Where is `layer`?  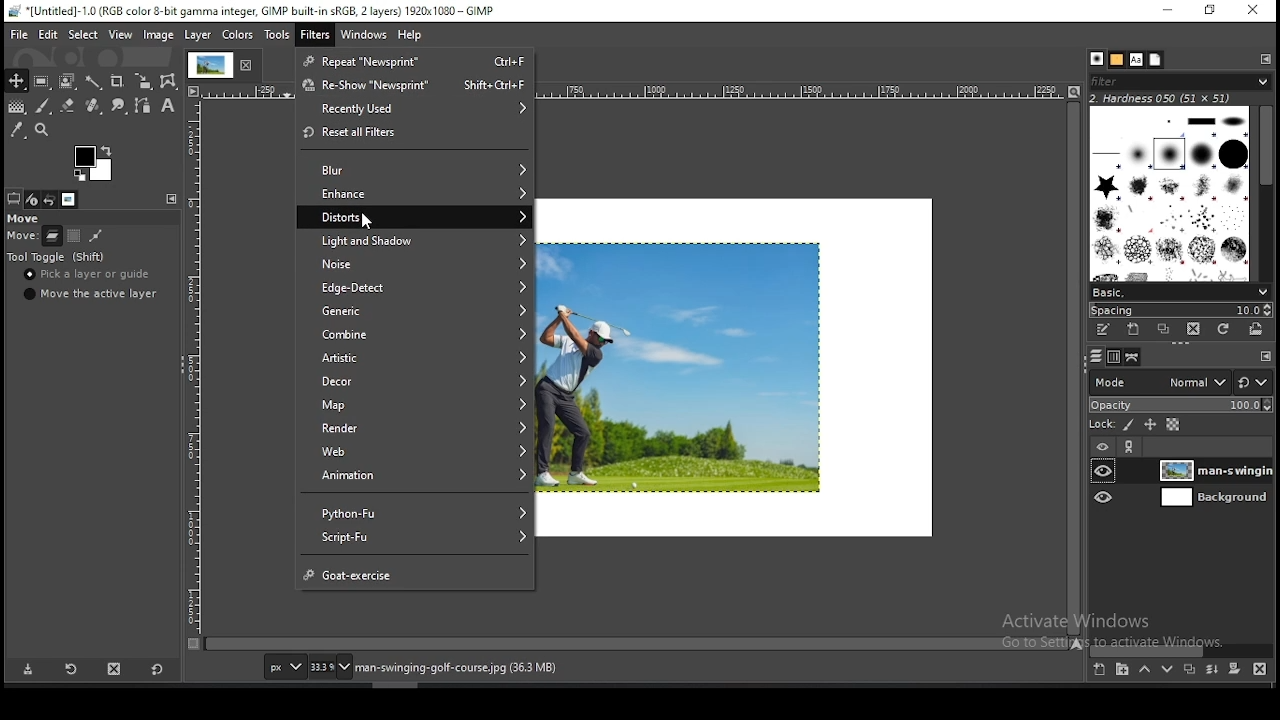 layer is located at coordinates (1212, 498).